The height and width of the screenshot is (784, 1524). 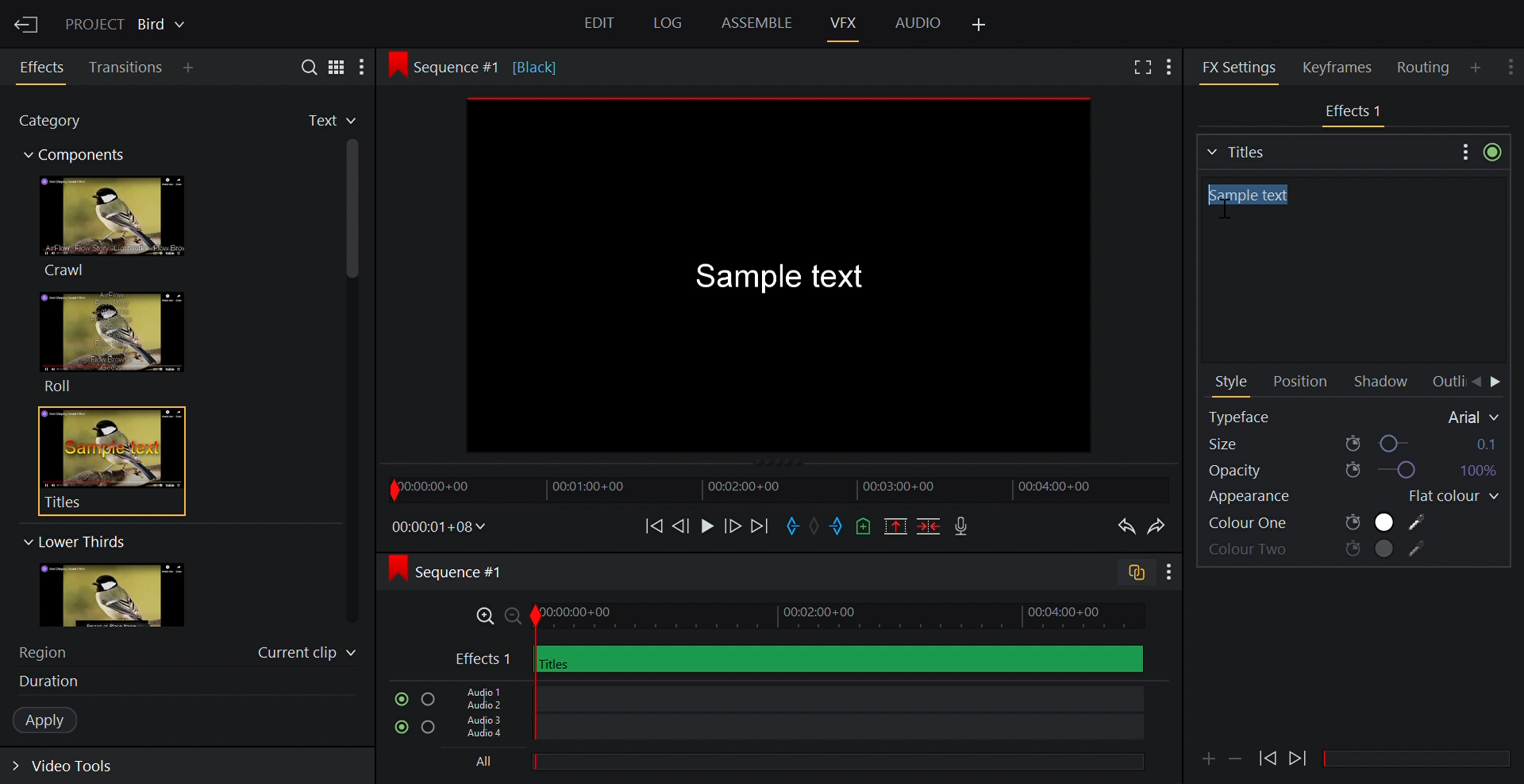 What do you see at coordinates (52, 651) in the screenshot?
I see `Region` at bounding box center [52, 651].